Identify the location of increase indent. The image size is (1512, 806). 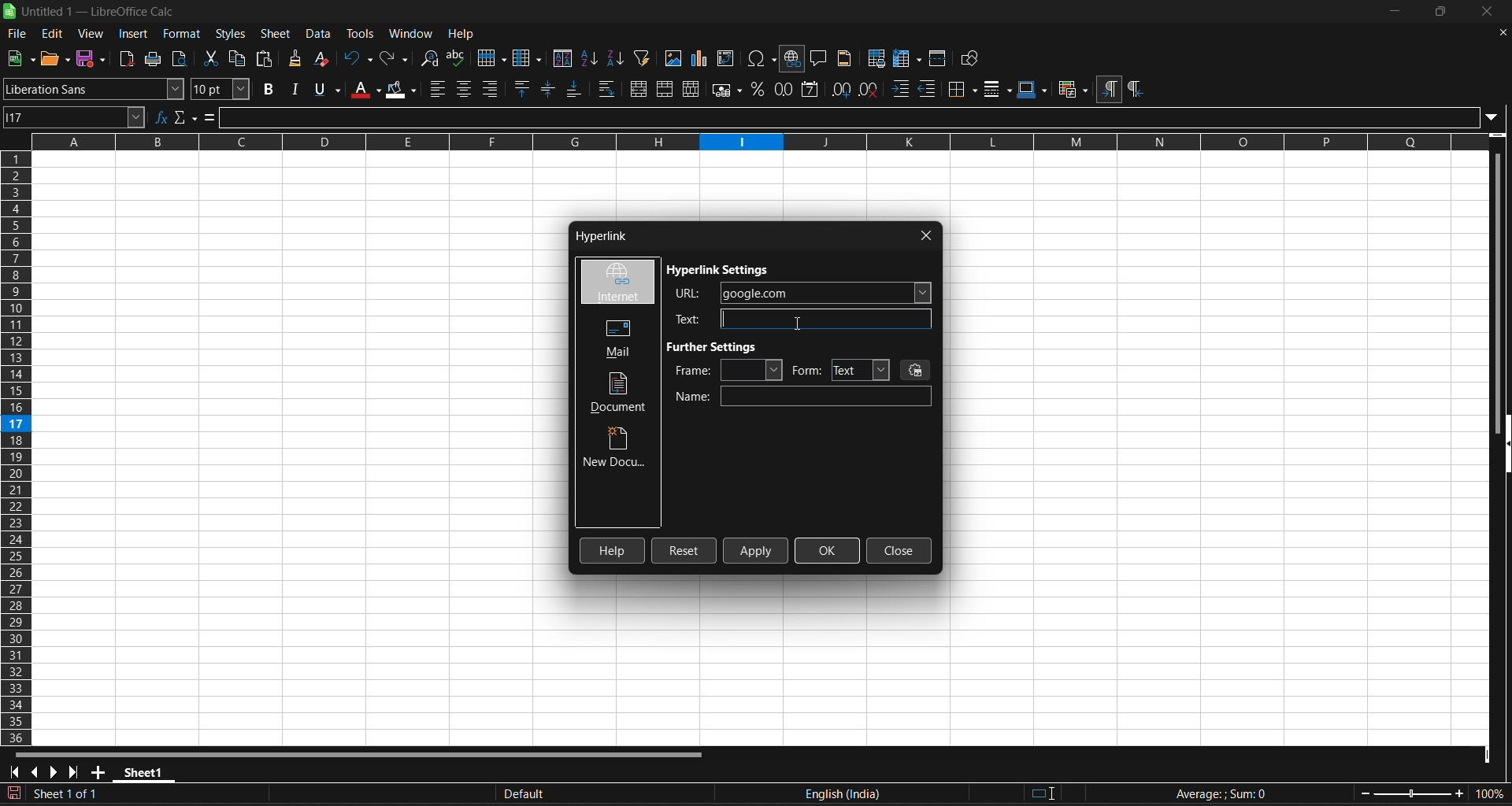
(901, 91).